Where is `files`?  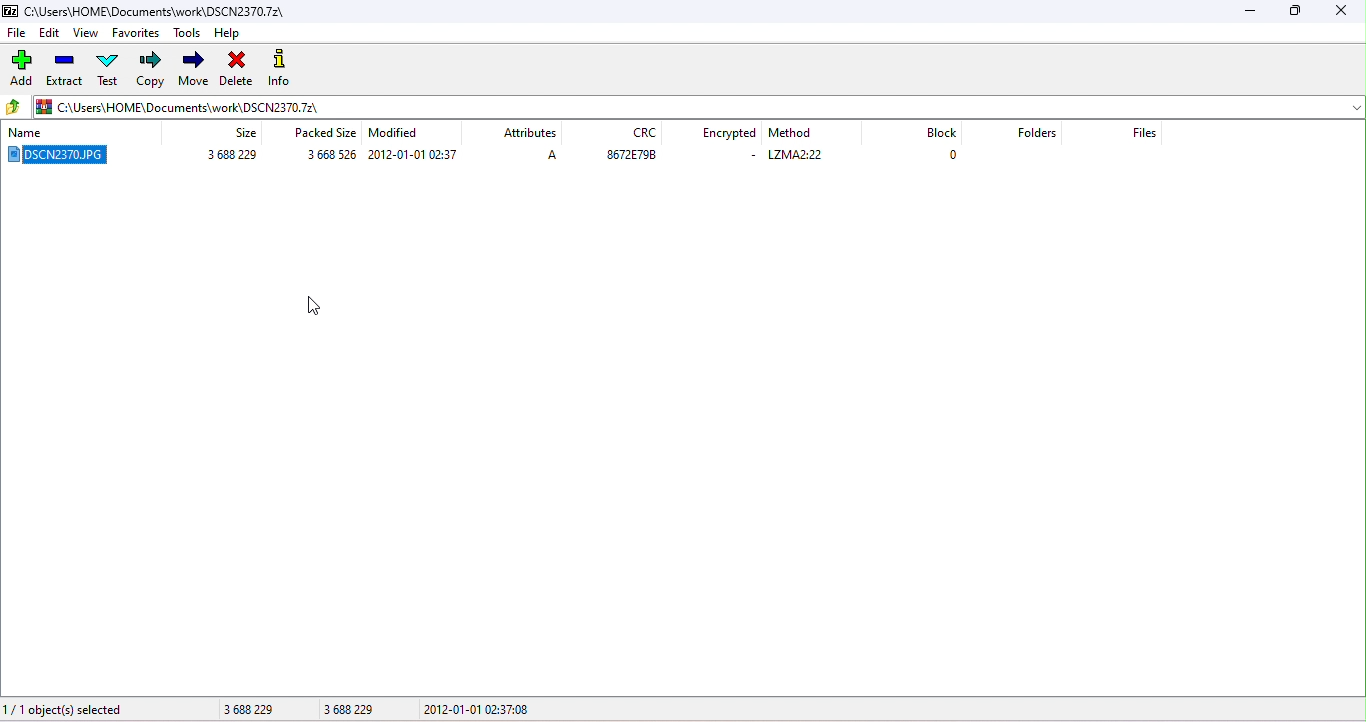
files is located at coordinates (1146, 136).